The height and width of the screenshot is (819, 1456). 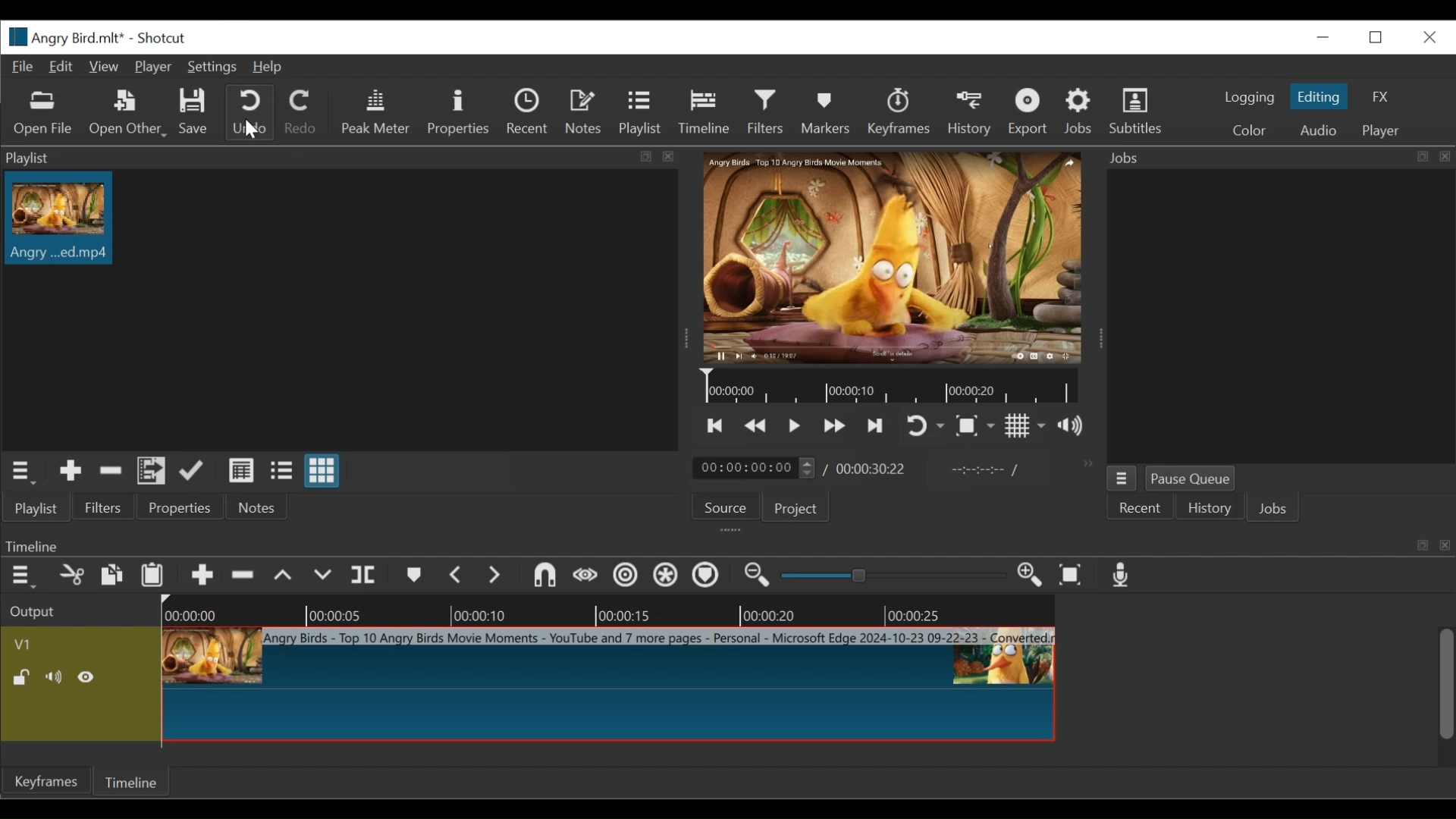 What do you see at coordinates (71, 471) in the screenshot?
I see `Add Source to the playlist` at bounding box center [71, 471].